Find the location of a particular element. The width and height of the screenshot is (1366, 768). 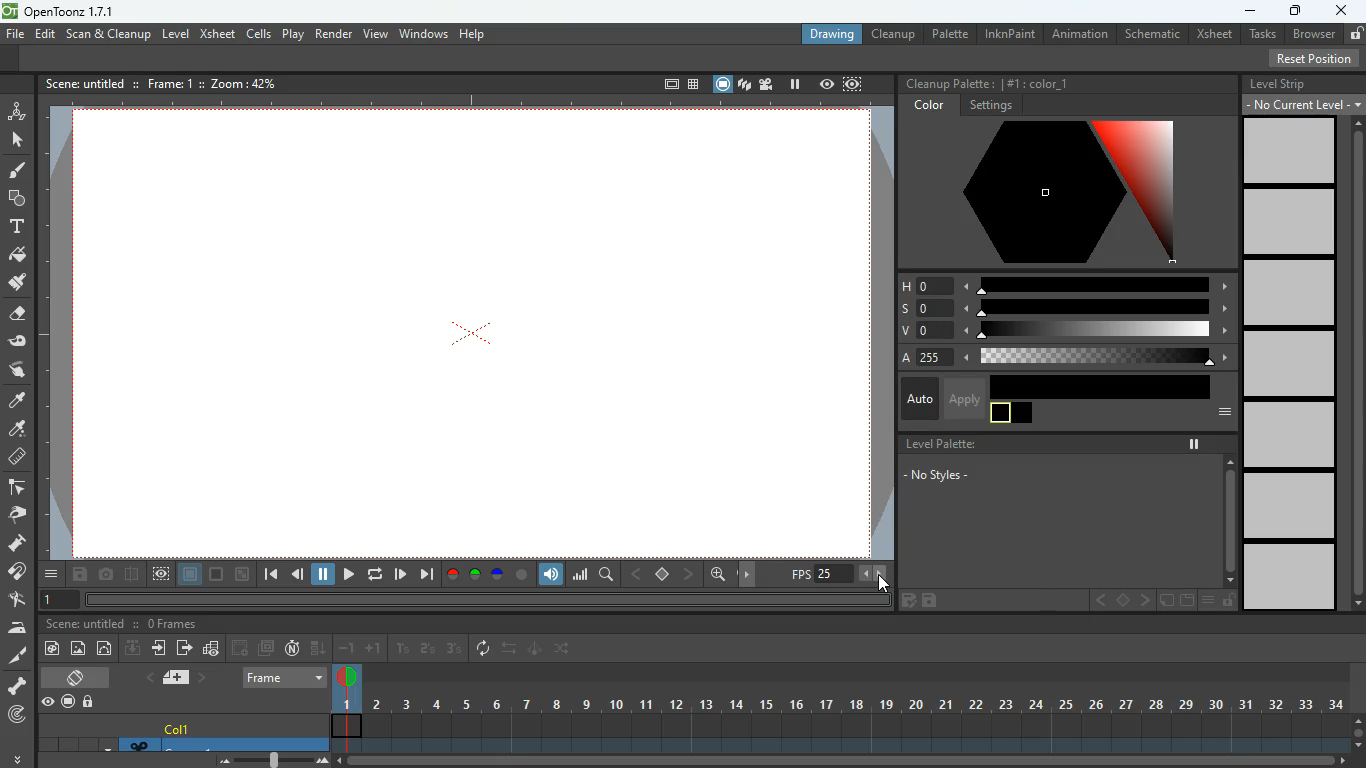

level is located at coordinates (173, 35).